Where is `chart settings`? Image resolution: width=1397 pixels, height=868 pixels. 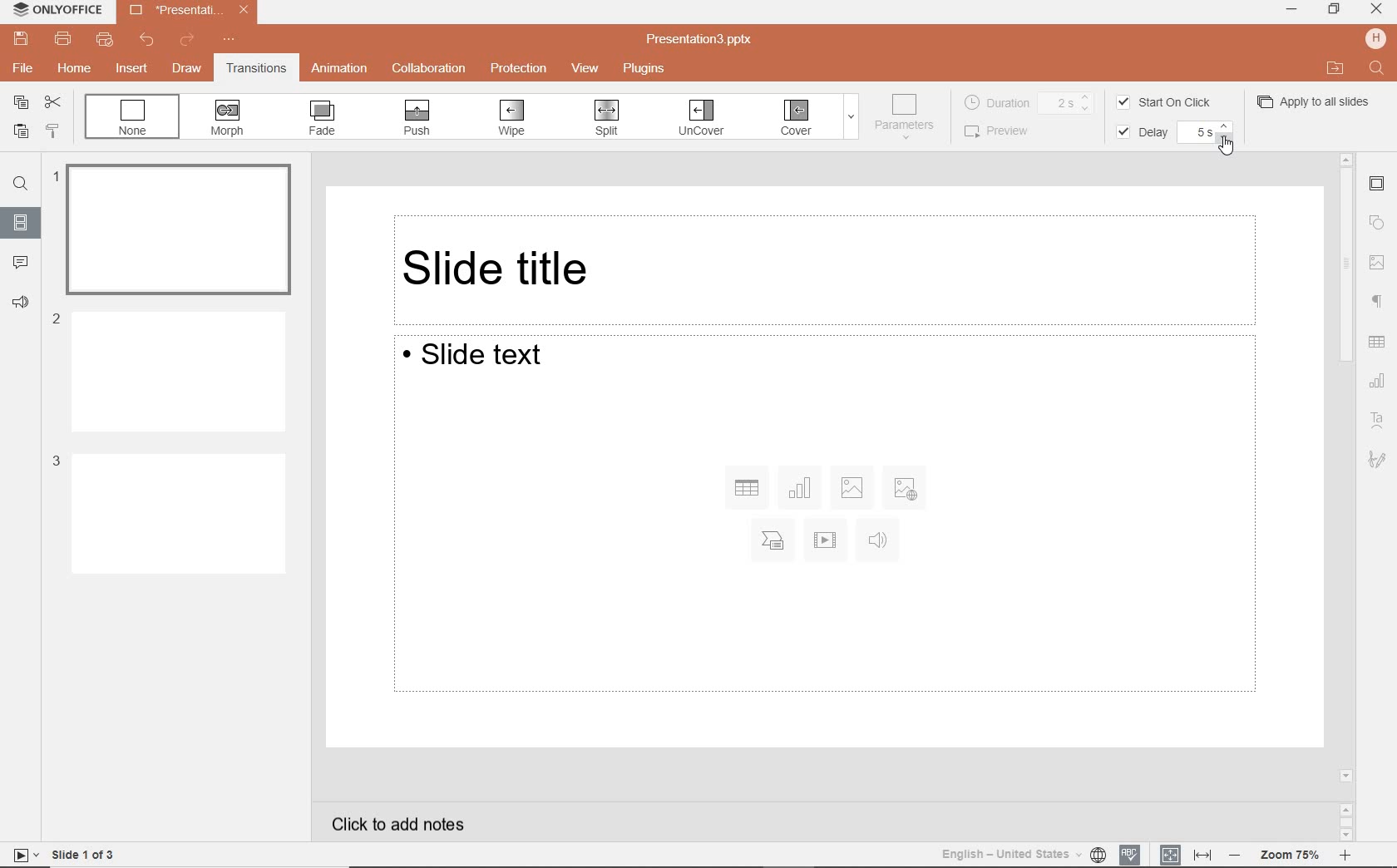 chart settings is located at coordinates (1377, 381).